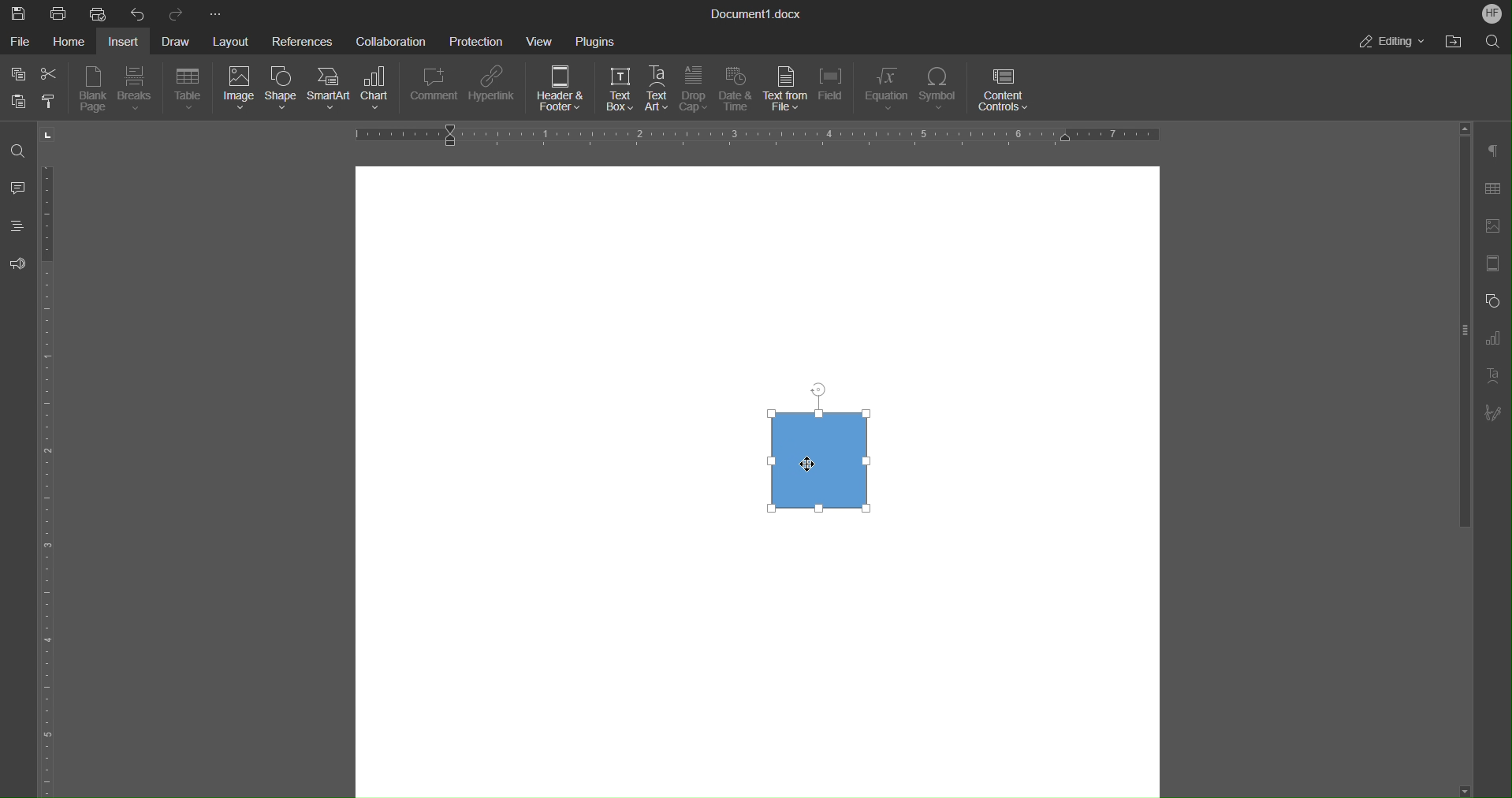 The width and height of the screenshot is (1512, 798). I want to click on Print, so click(59, 13).